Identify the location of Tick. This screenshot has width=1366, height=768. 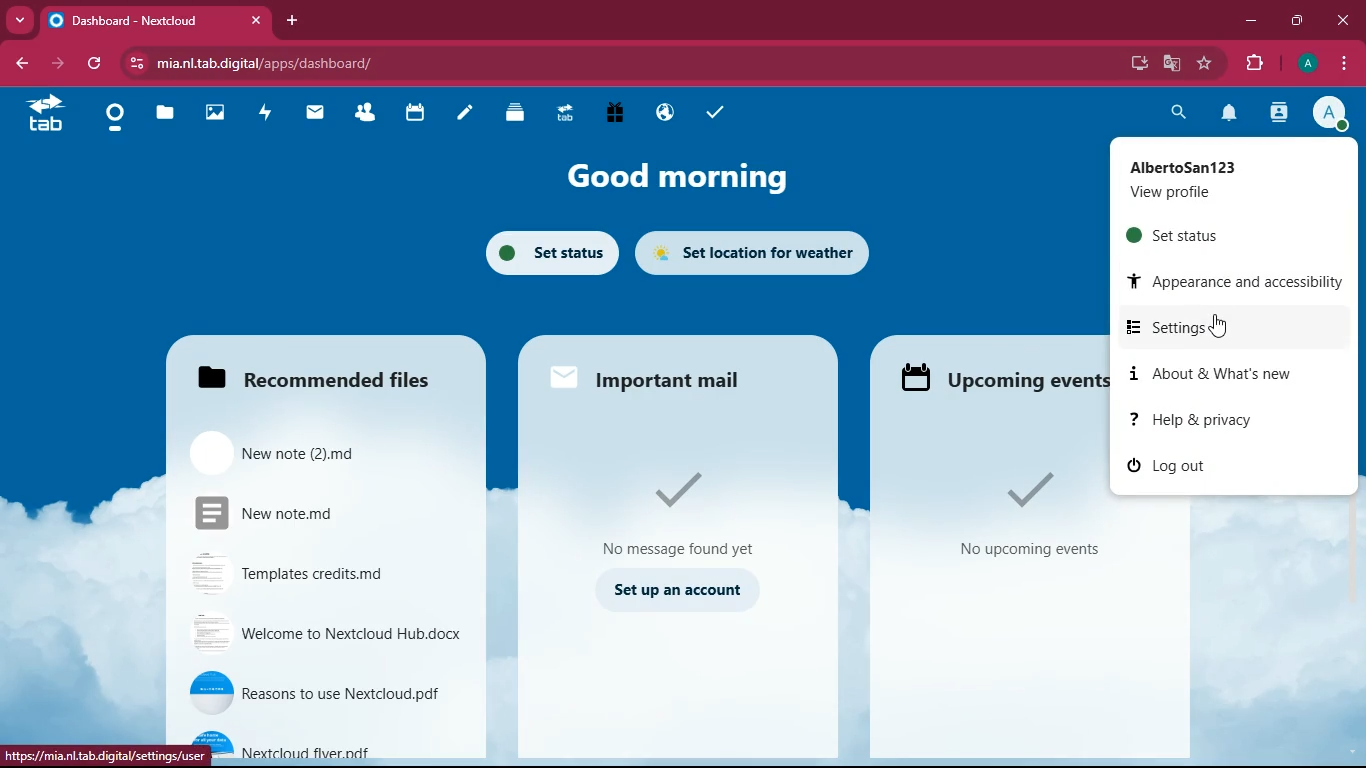
(1026, 489).